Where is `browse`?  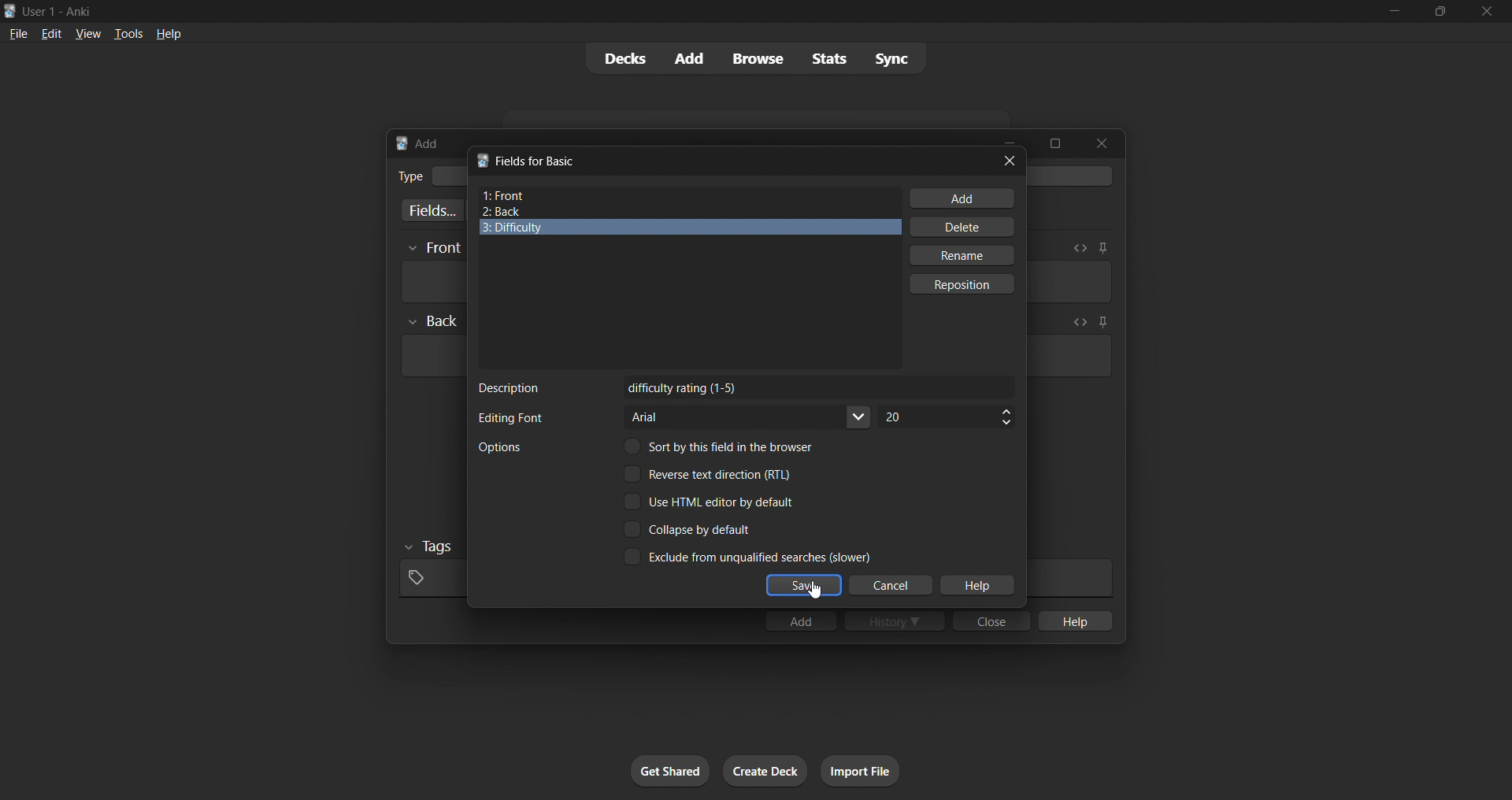 browse is located at coordinates (758, 58).